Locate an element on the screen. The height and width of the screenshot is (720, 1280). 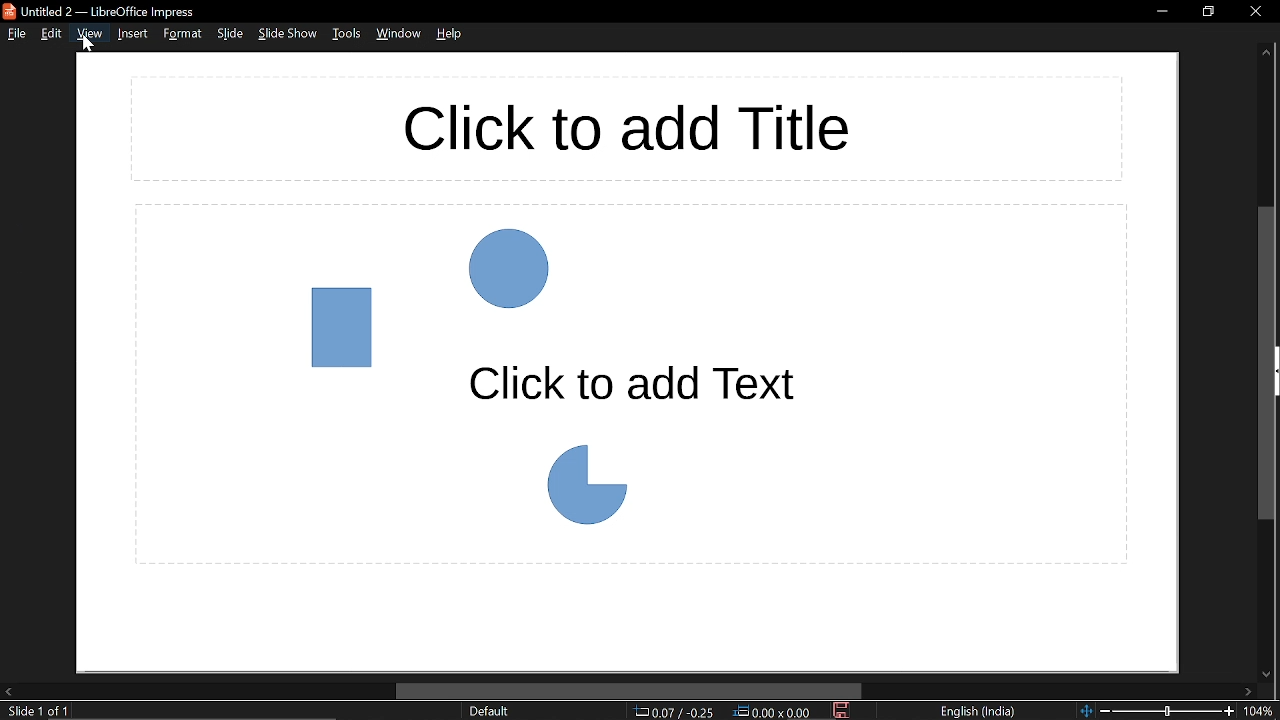
Change zoom is located at coordinates (1159, 712).